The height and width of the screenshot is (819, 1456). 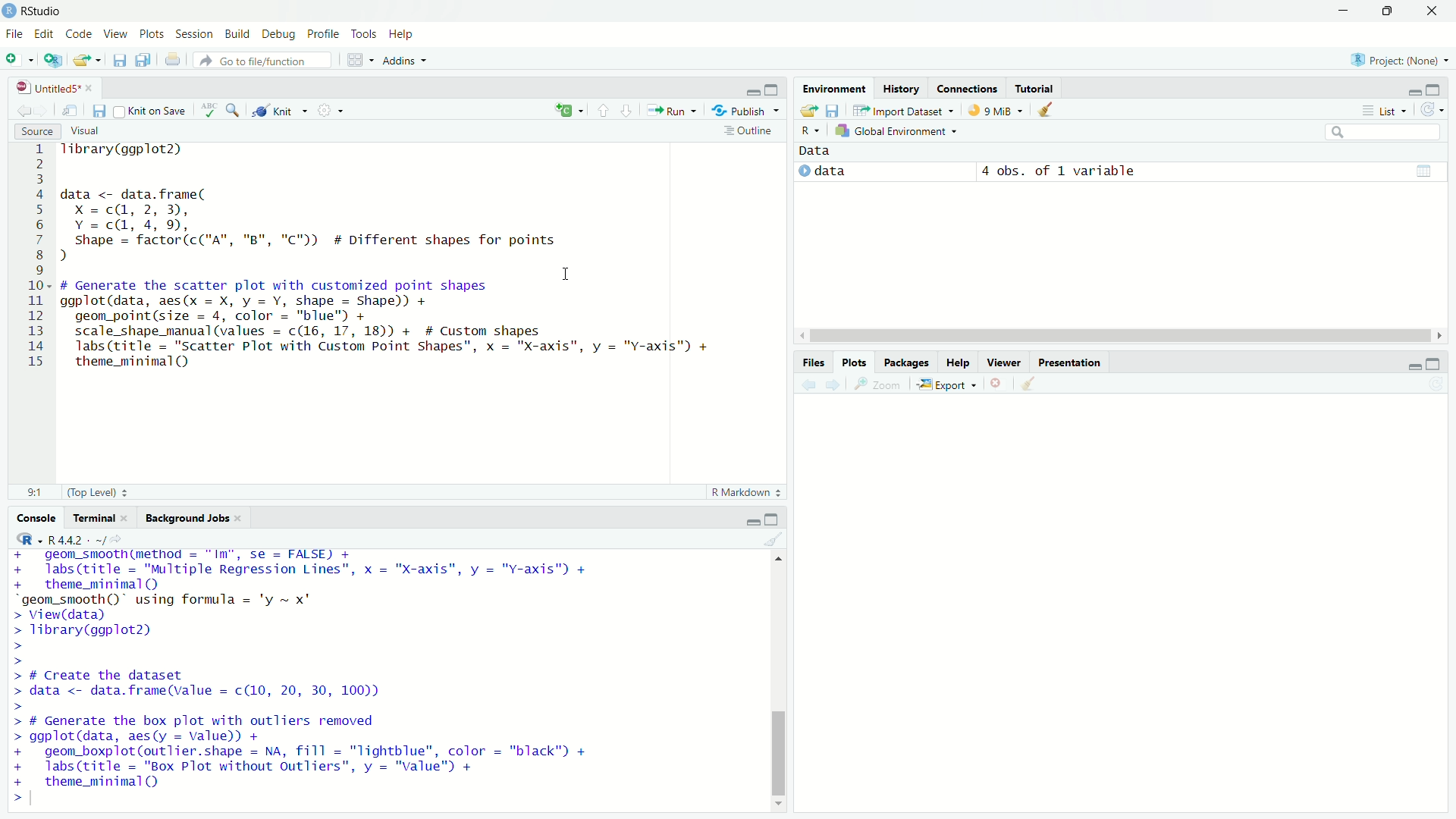 What do you see at coordinates (1004, 362) in the screenshot?
I see `Viewer` at bounding box center [1004, 362].